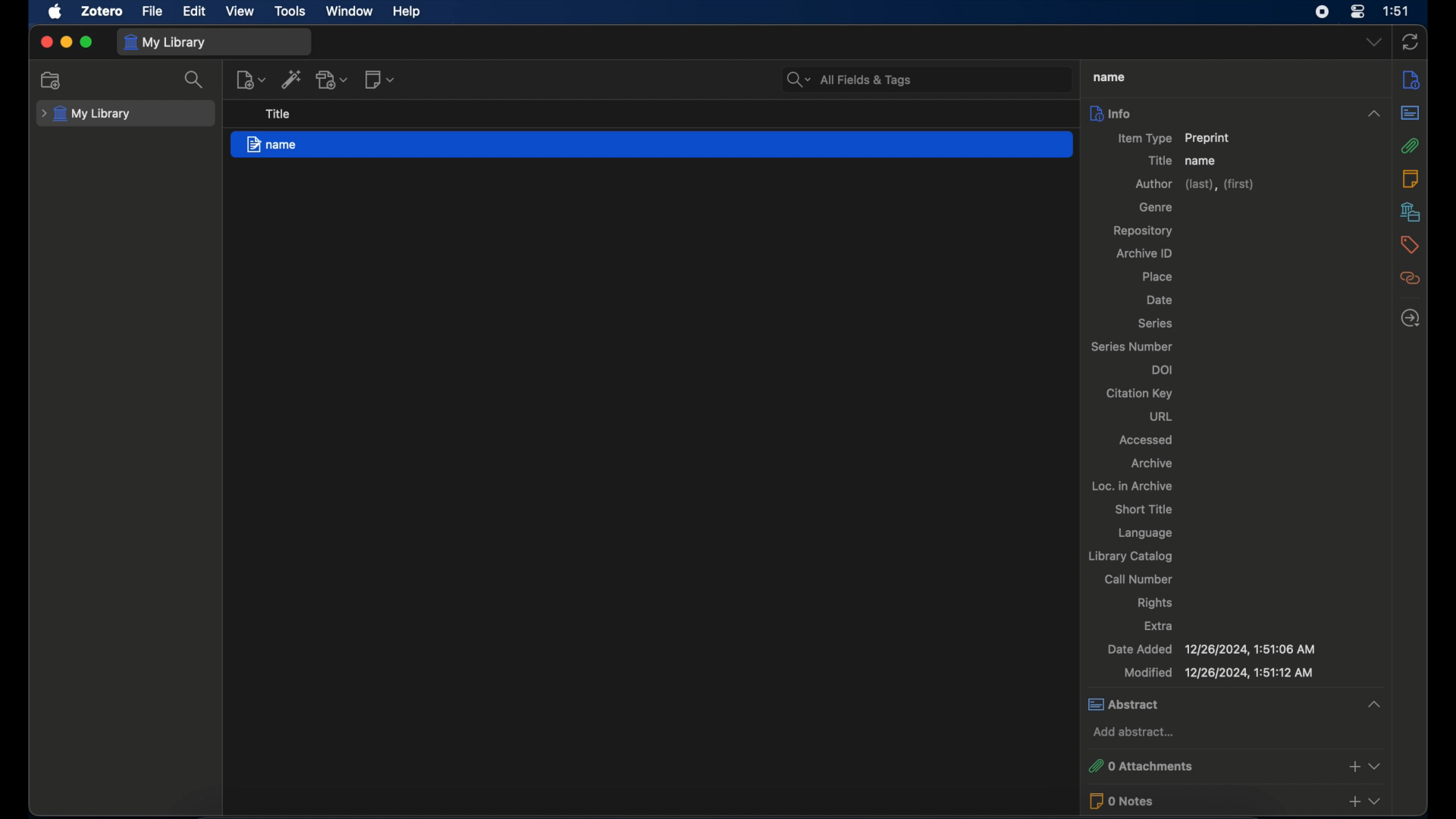  What do you see at coordinates (195, 79) in the screenshot?
I see `search` at bounding box center [195, 79].